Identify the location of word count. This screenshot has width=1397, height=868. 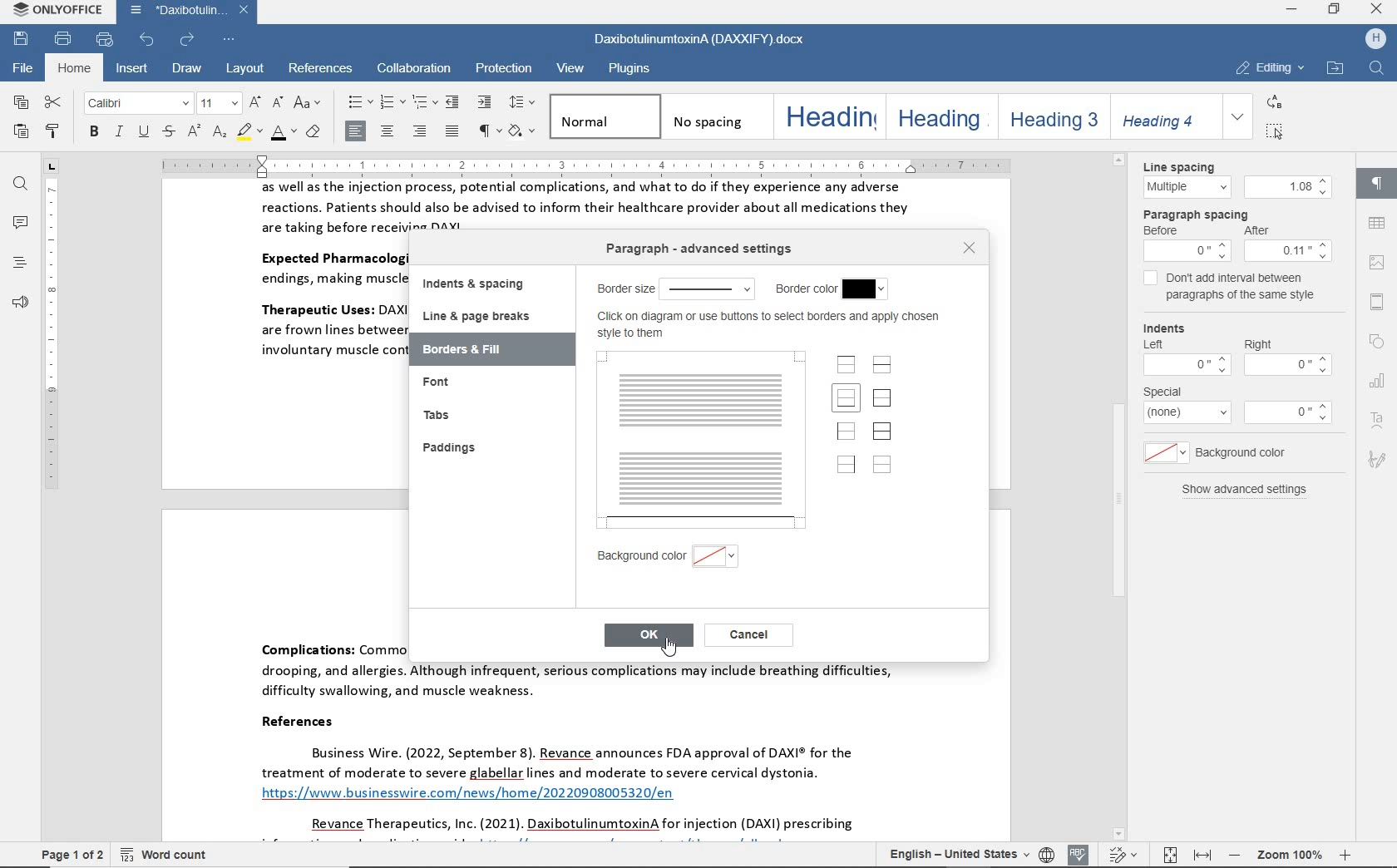
(167, 853).